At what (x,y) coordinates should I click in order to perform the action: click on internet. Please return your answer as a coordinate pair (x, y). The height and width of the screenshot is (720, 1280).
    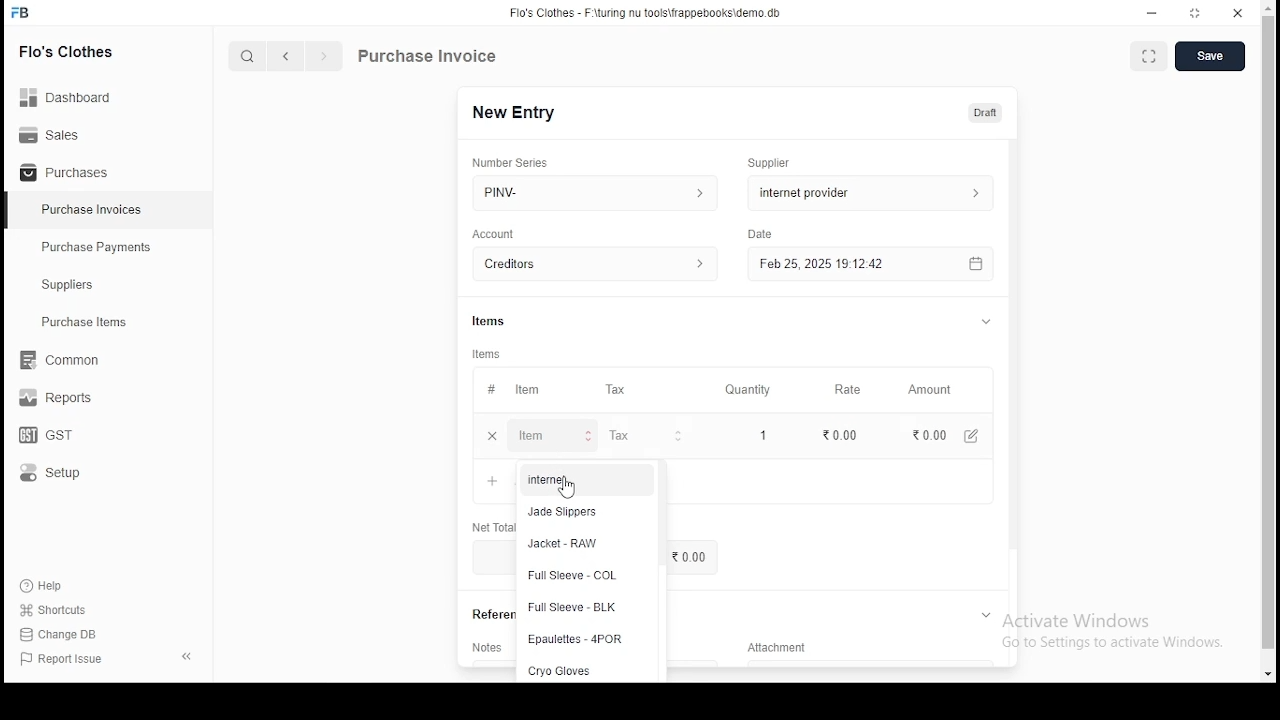
    Looking at the image, I should click on (549, 479).